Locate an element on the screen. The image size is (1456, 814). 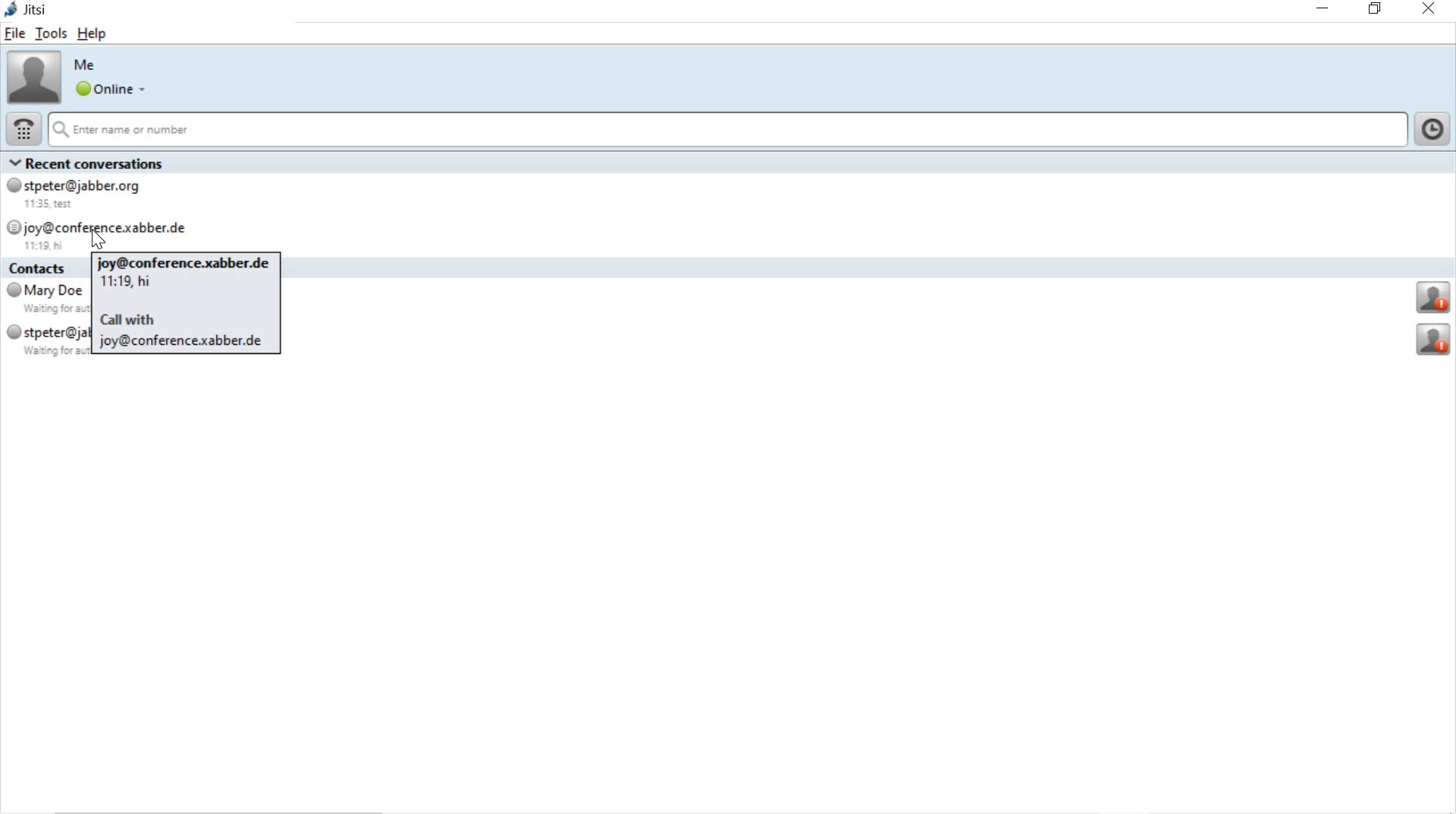
file is located at coordinates (16, 34).